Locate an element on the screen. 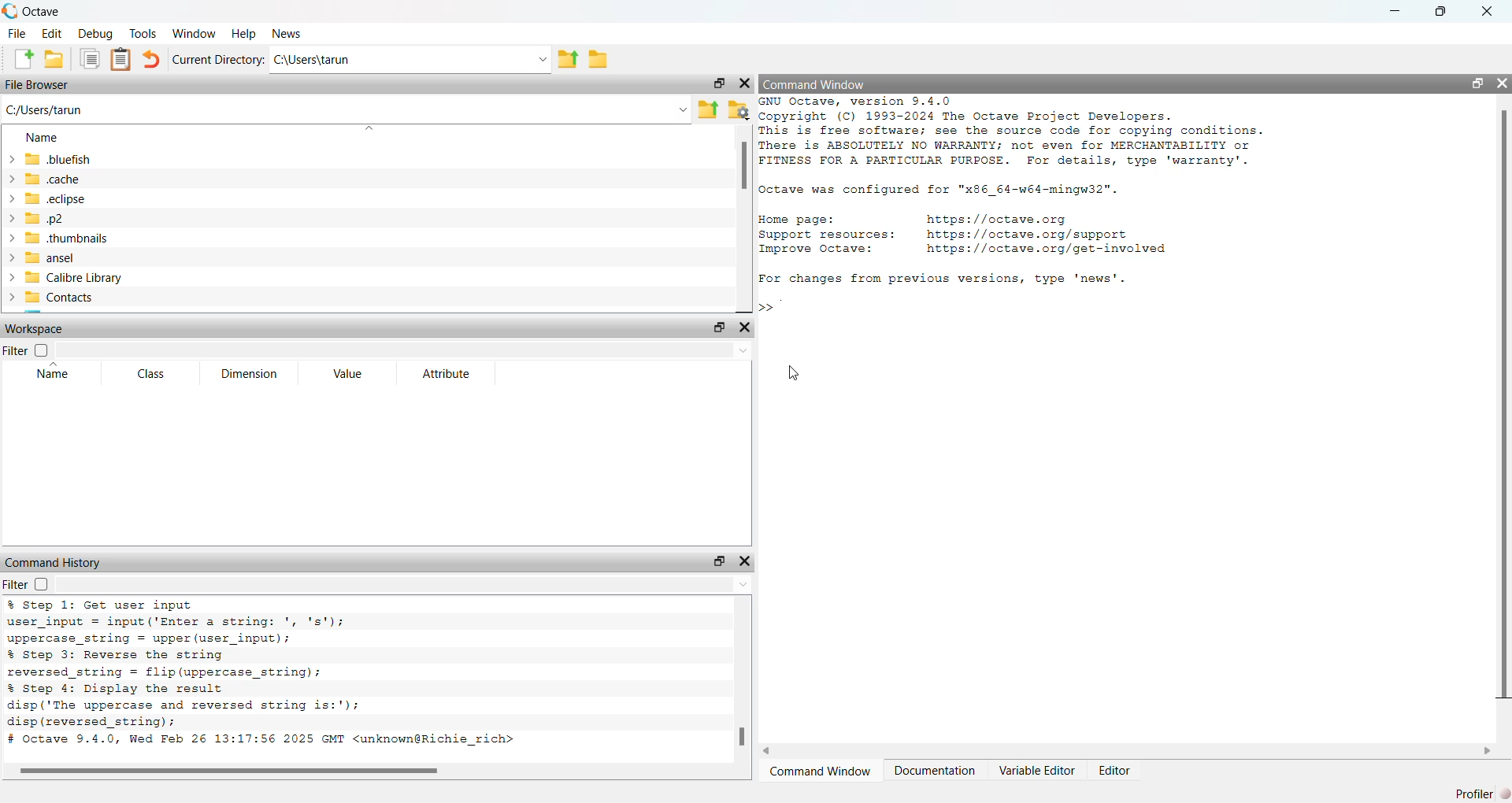 The height and width of the screenshot is (803, 1512). name is located at coordinates (42, 137).